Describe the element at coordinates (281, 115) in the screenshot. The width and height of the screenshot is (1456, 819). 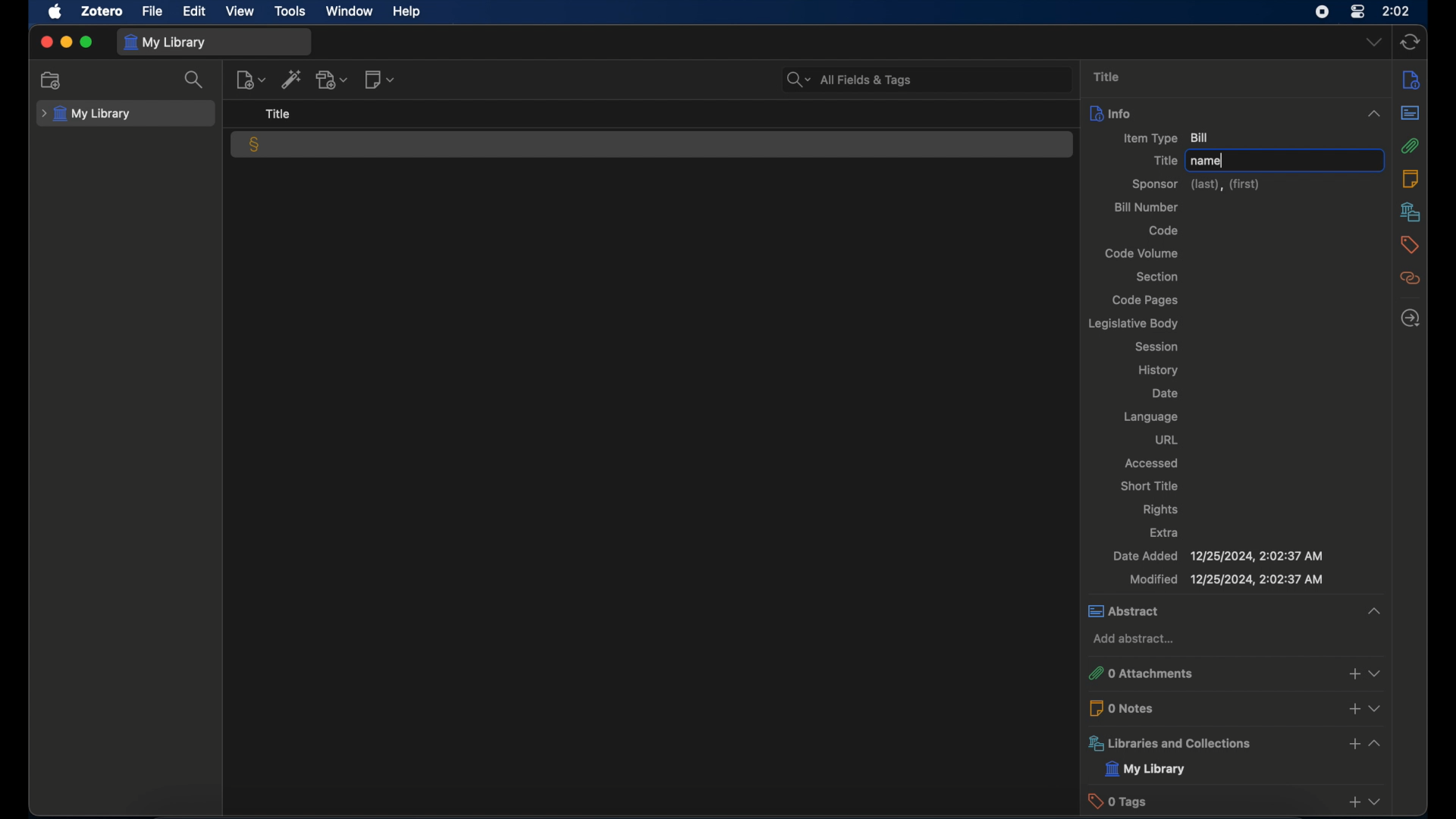
I see `title` at that location.